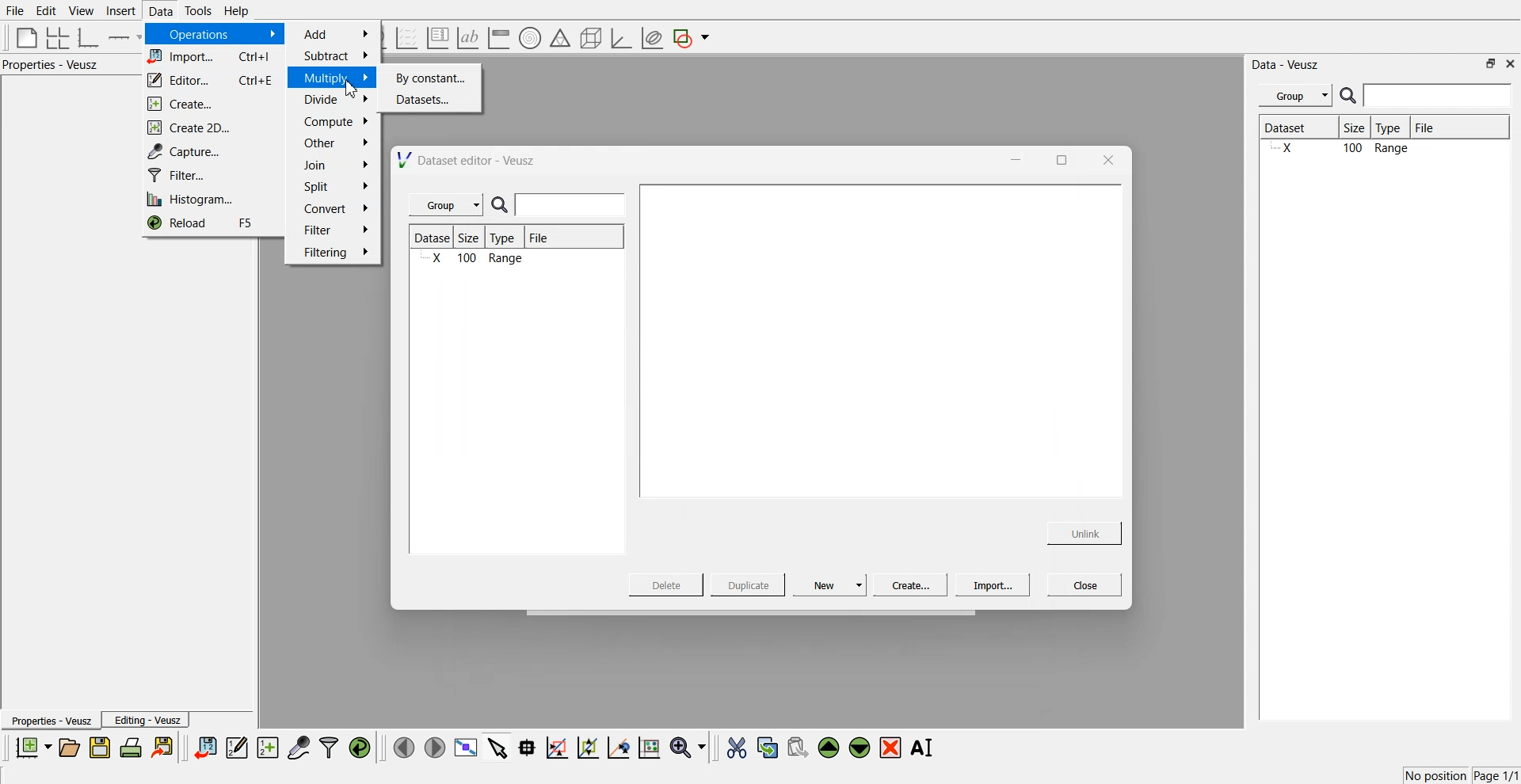 Image resolution: width=1521 pixels, height=784 pixels. What do you see at coordinates (651, 39) in the screenshot?
I see `plot covariance ellipses` at bounding box center [651, 39].